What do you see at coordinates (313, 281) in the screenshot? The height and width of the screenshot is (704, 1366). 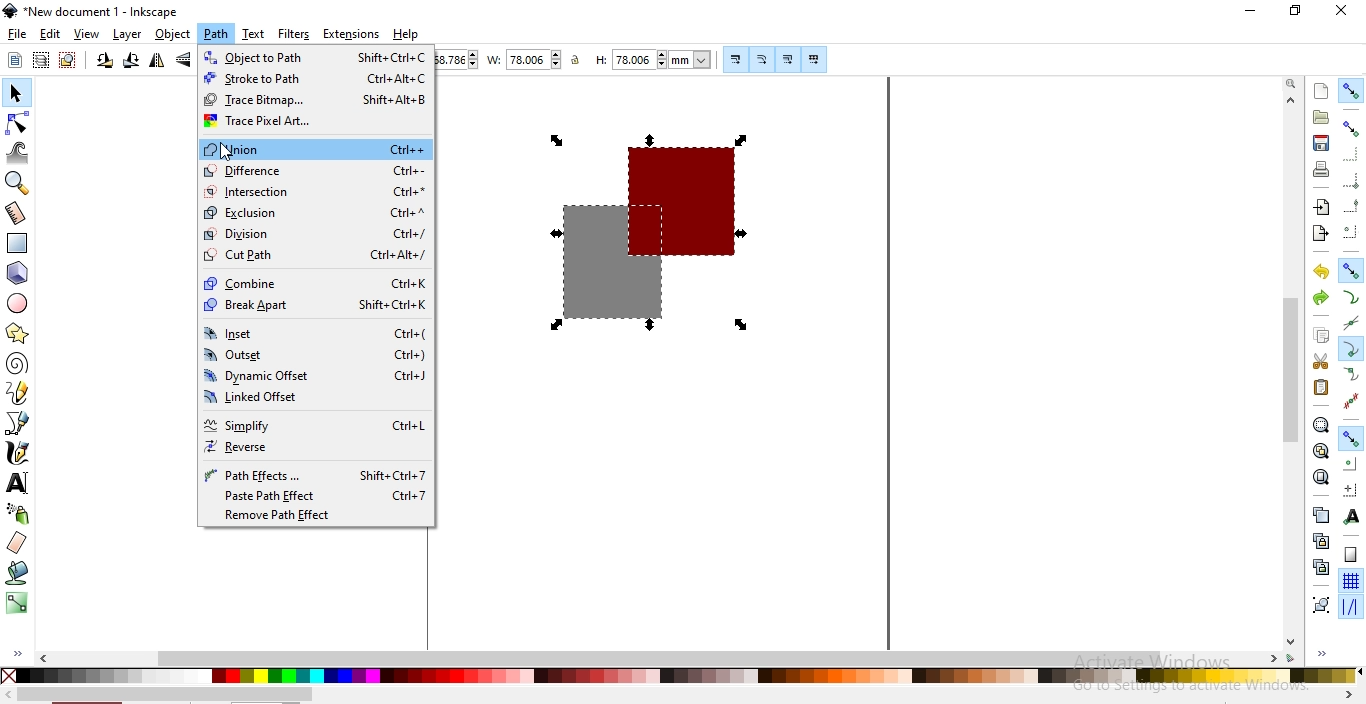 I see `combine` at bounding box center [313, 281].